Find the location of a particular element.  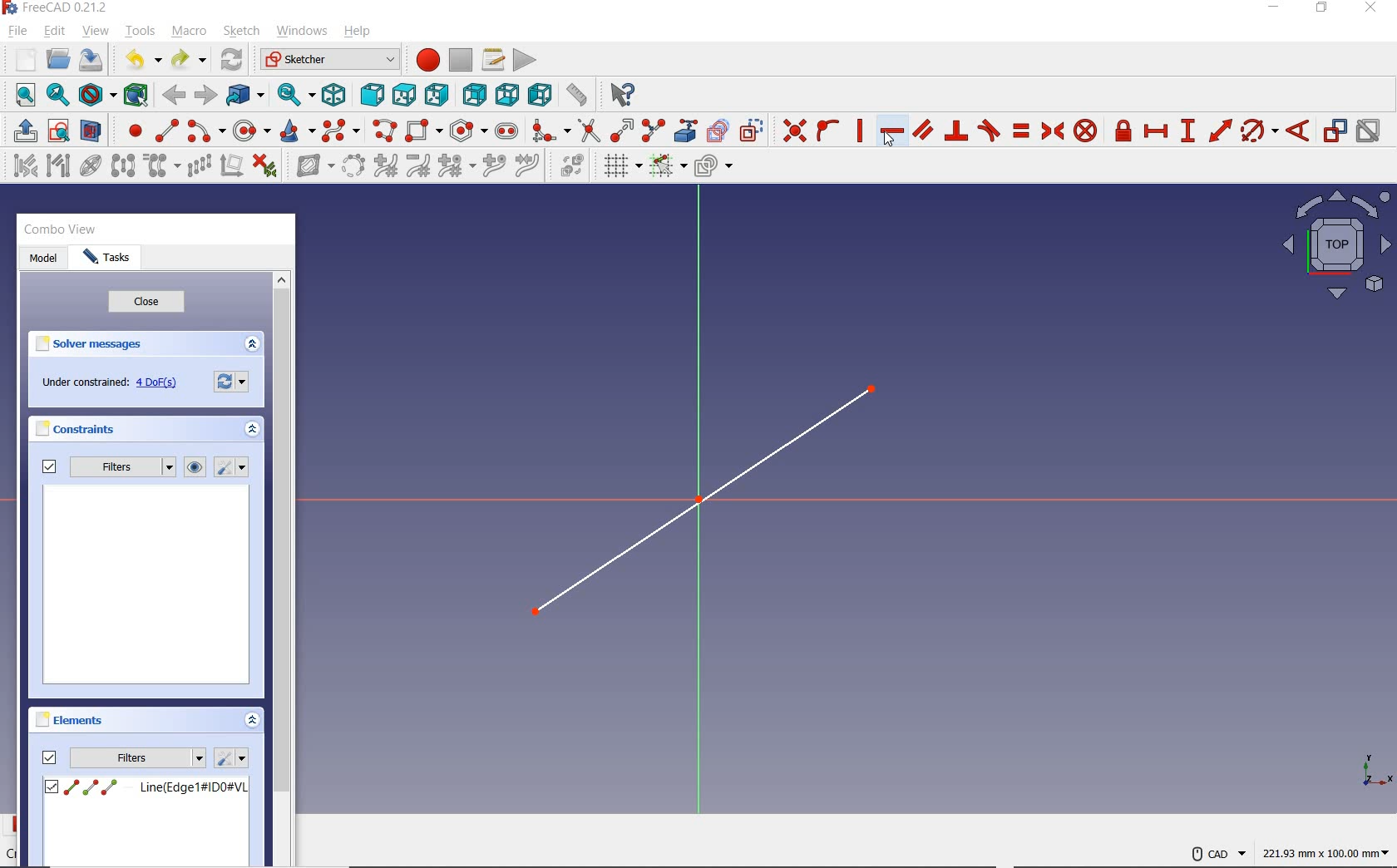

SPLIT EDGE is located at coordinates (654, 128).